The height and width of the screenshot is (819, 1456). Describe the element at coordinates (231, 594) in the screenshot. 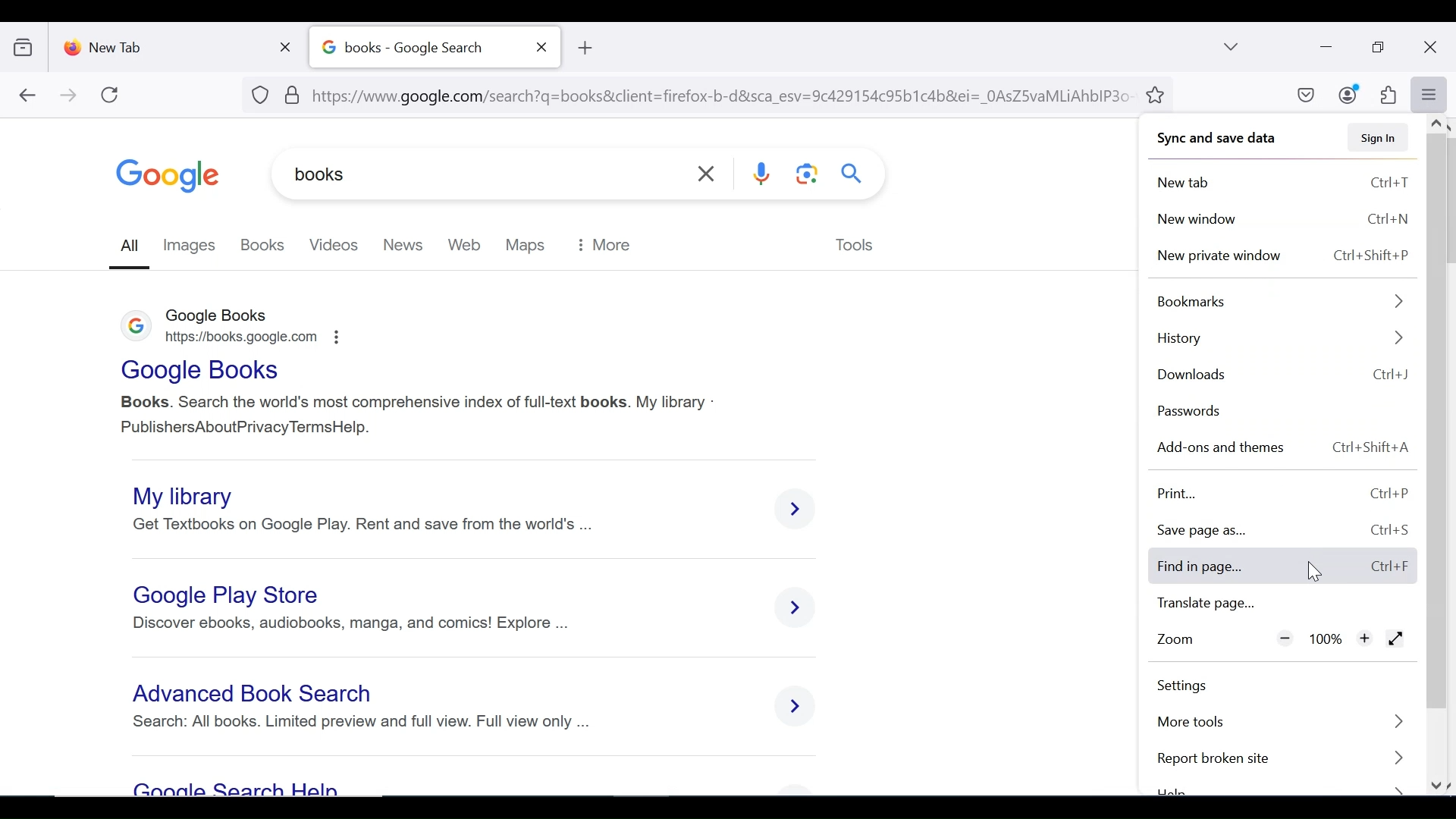

I see `Google Play Store` at that location.